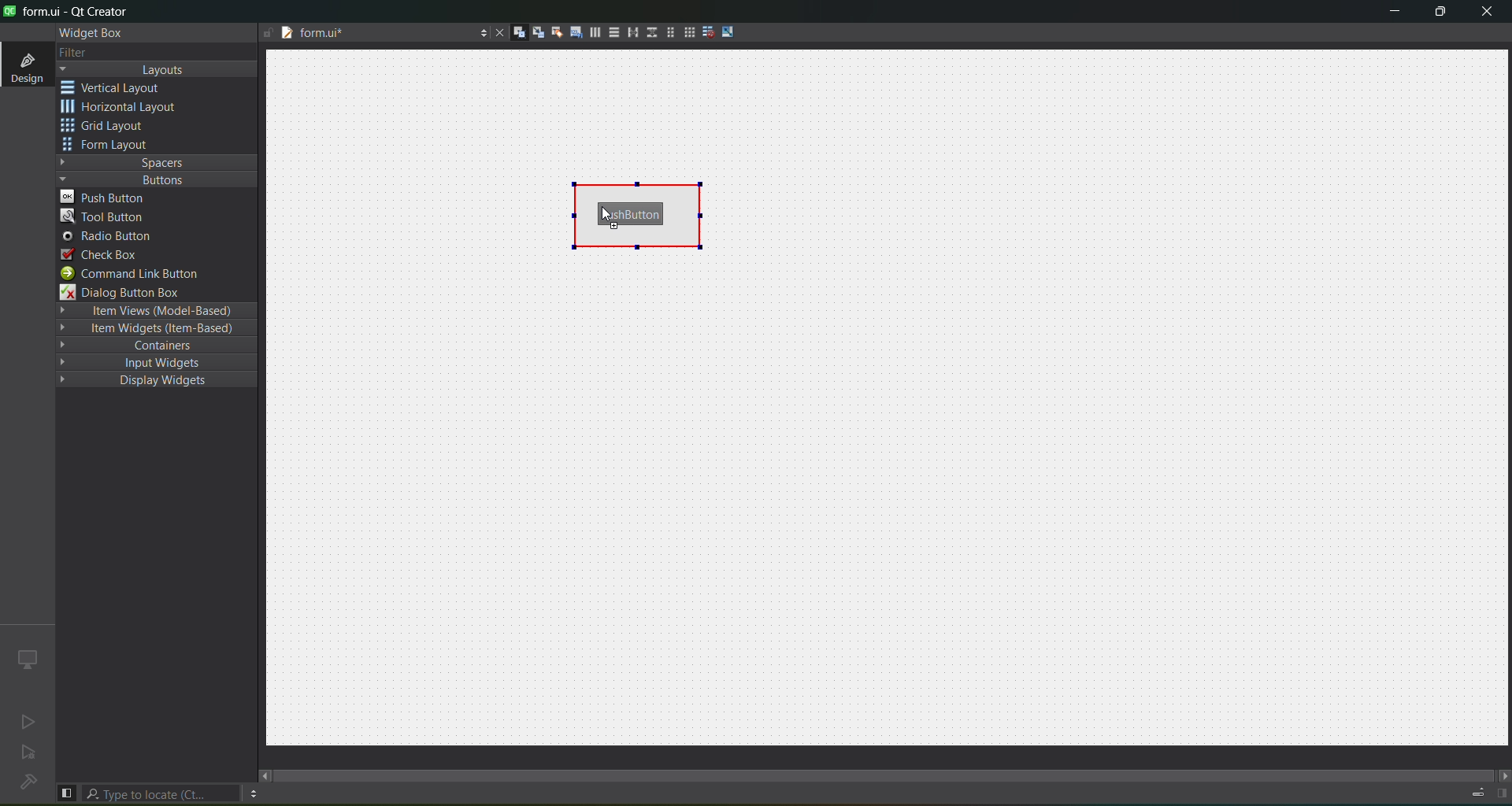 The height and width of the screenshot is (806, 1512). I want to click on no active project, so click(29, 755).